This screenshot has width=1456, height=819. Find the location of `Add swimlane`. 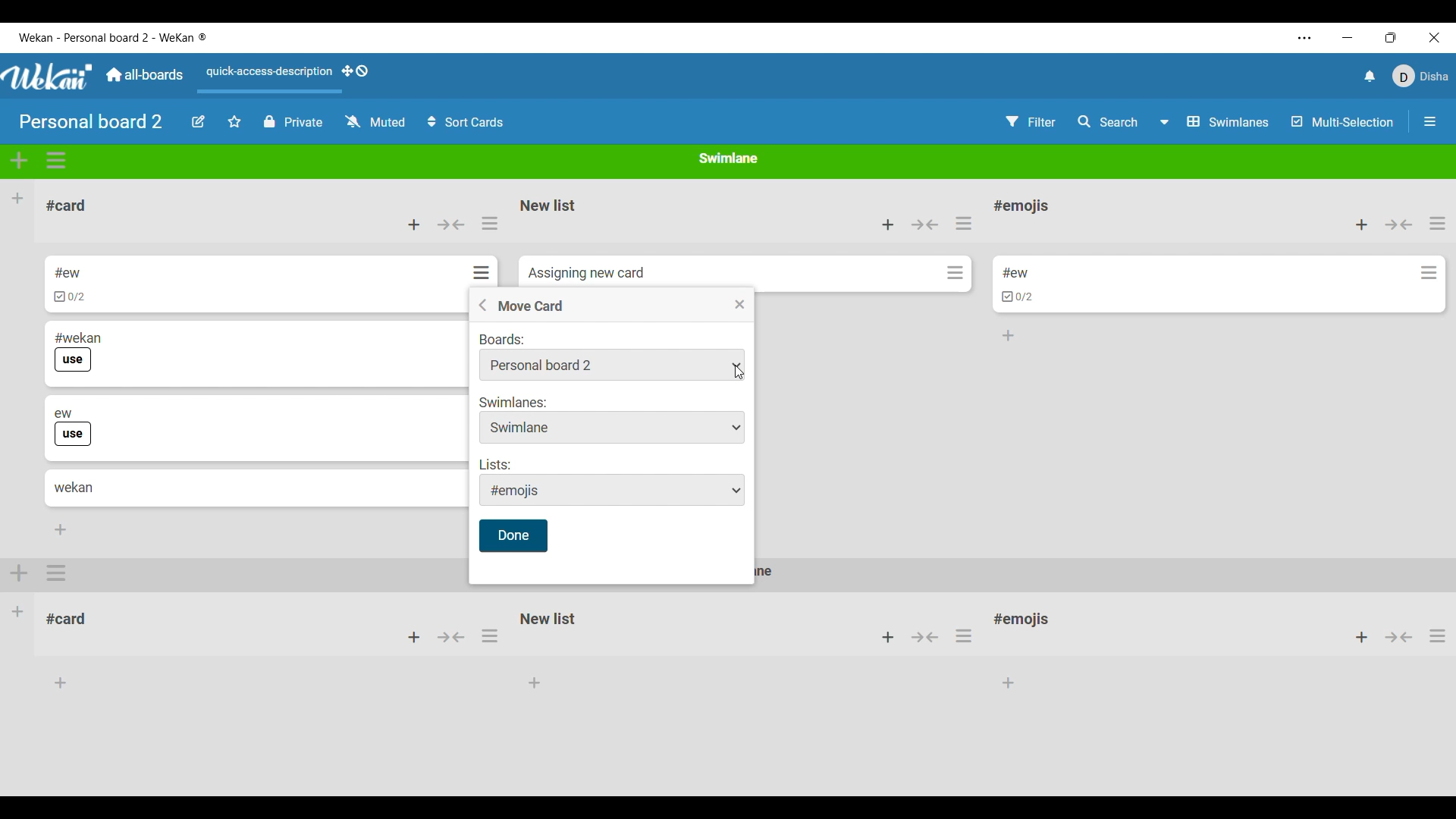

Add swimlane is located at coordinates (20, 160).